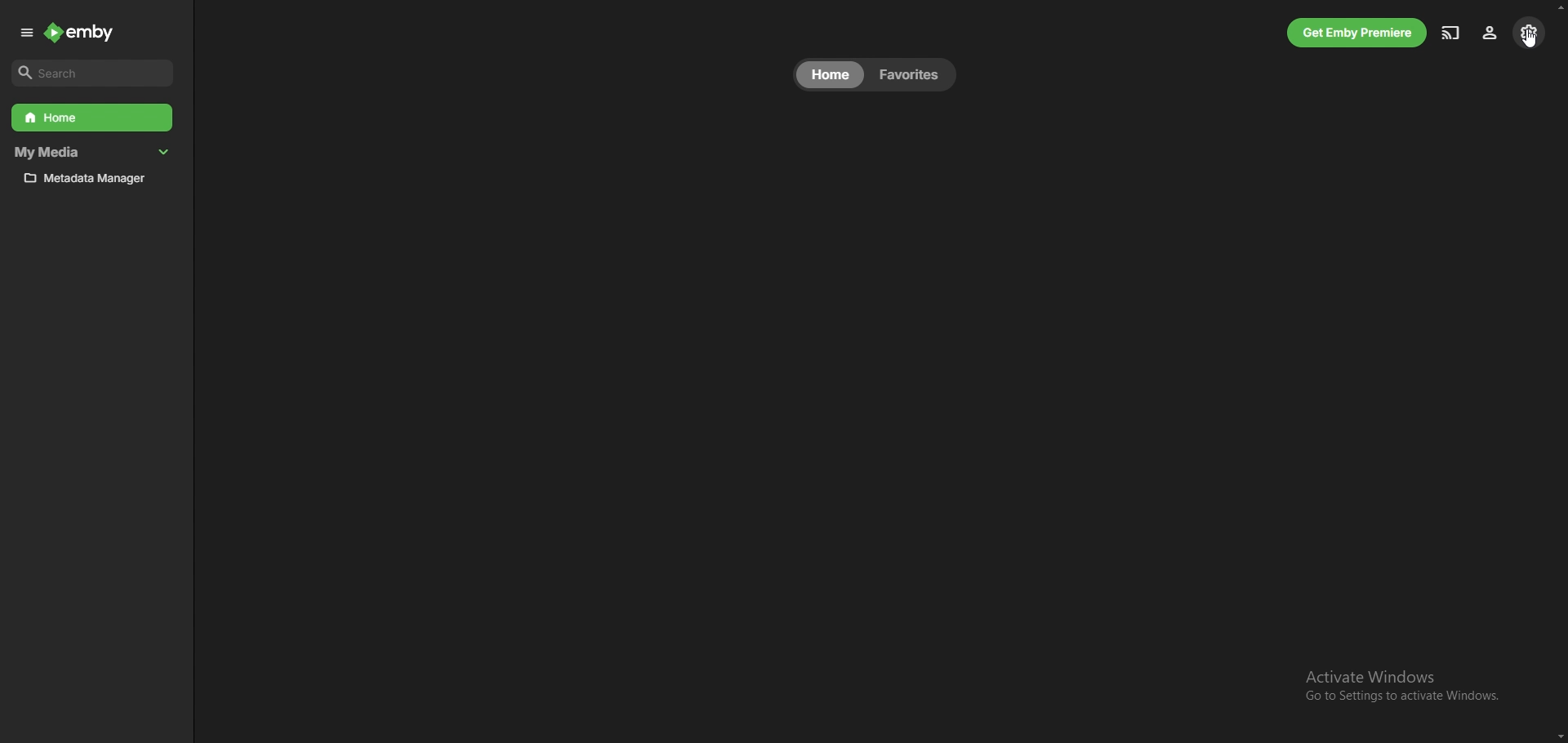 This screenshot has height=743, width=1568. What do you see at coordinates (22, 33) in the screenshot?
I see `expand` at bounding box center [22, 33].